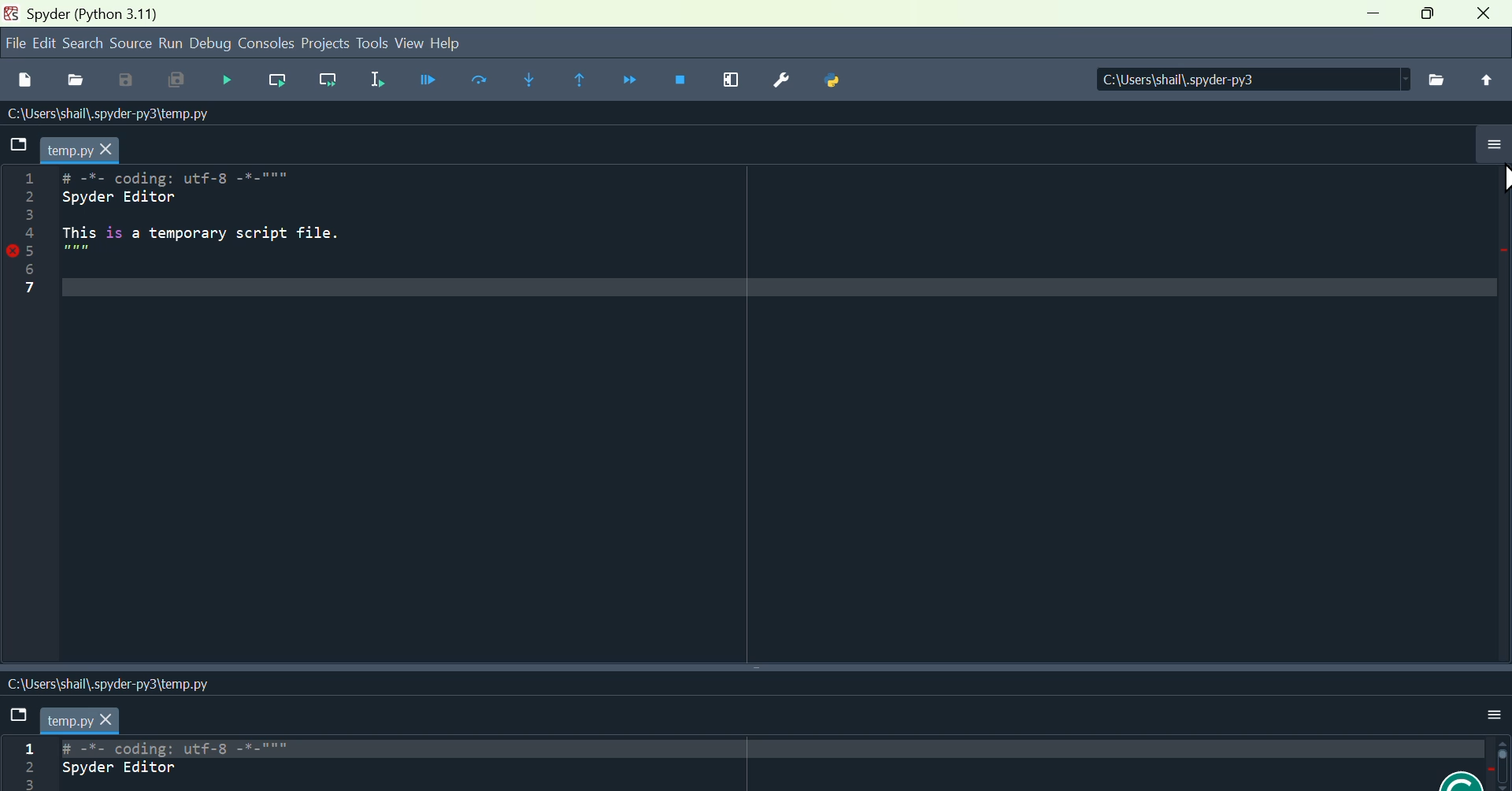 Image resolution: width=1512 pixels, height=791 pixels. I want to click on Python bath manager, so click(836, 84).